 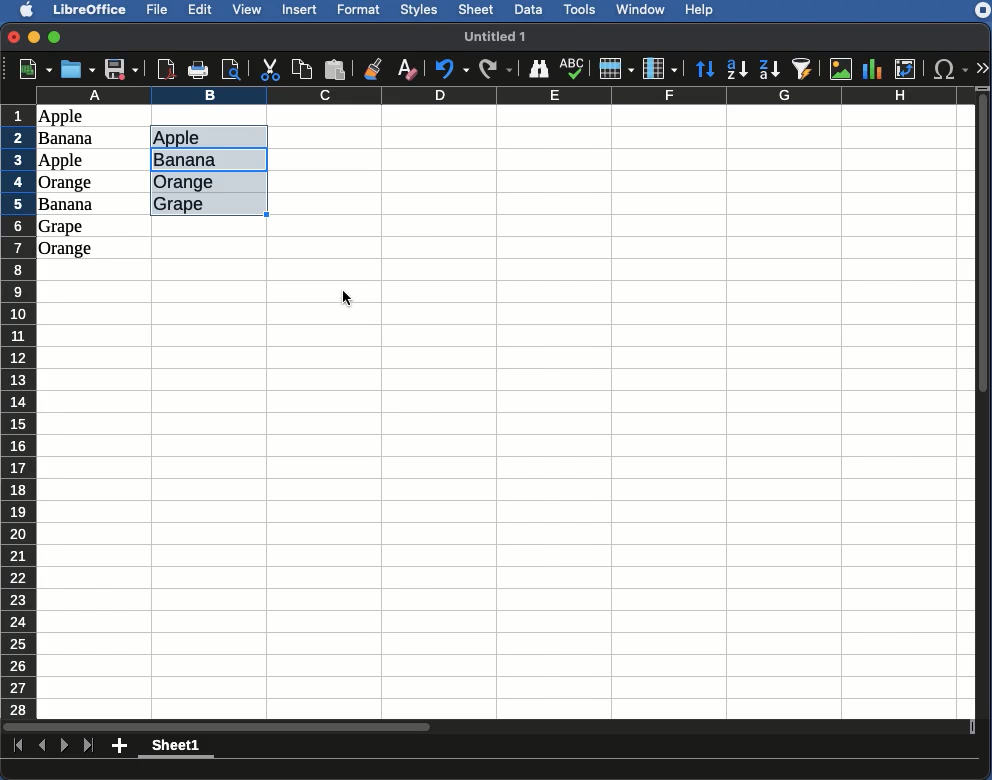 What do you see at coordinates (874, 69) in the screenshot?
I see `Chart` at bounding box center [874, 69].